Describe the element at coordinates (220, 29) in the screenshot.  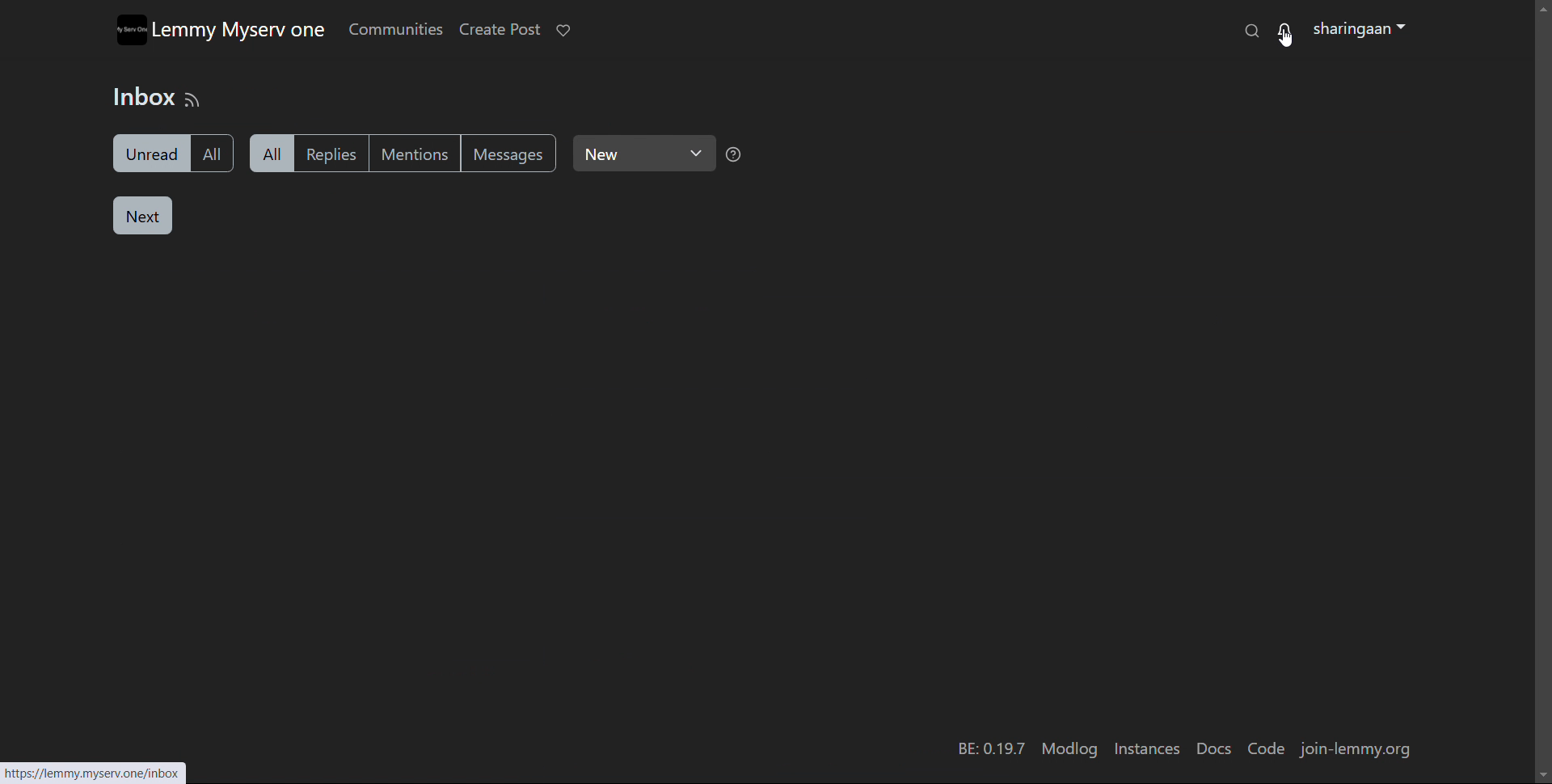
I see `Lemmy Myserv one logo and name` at that location.